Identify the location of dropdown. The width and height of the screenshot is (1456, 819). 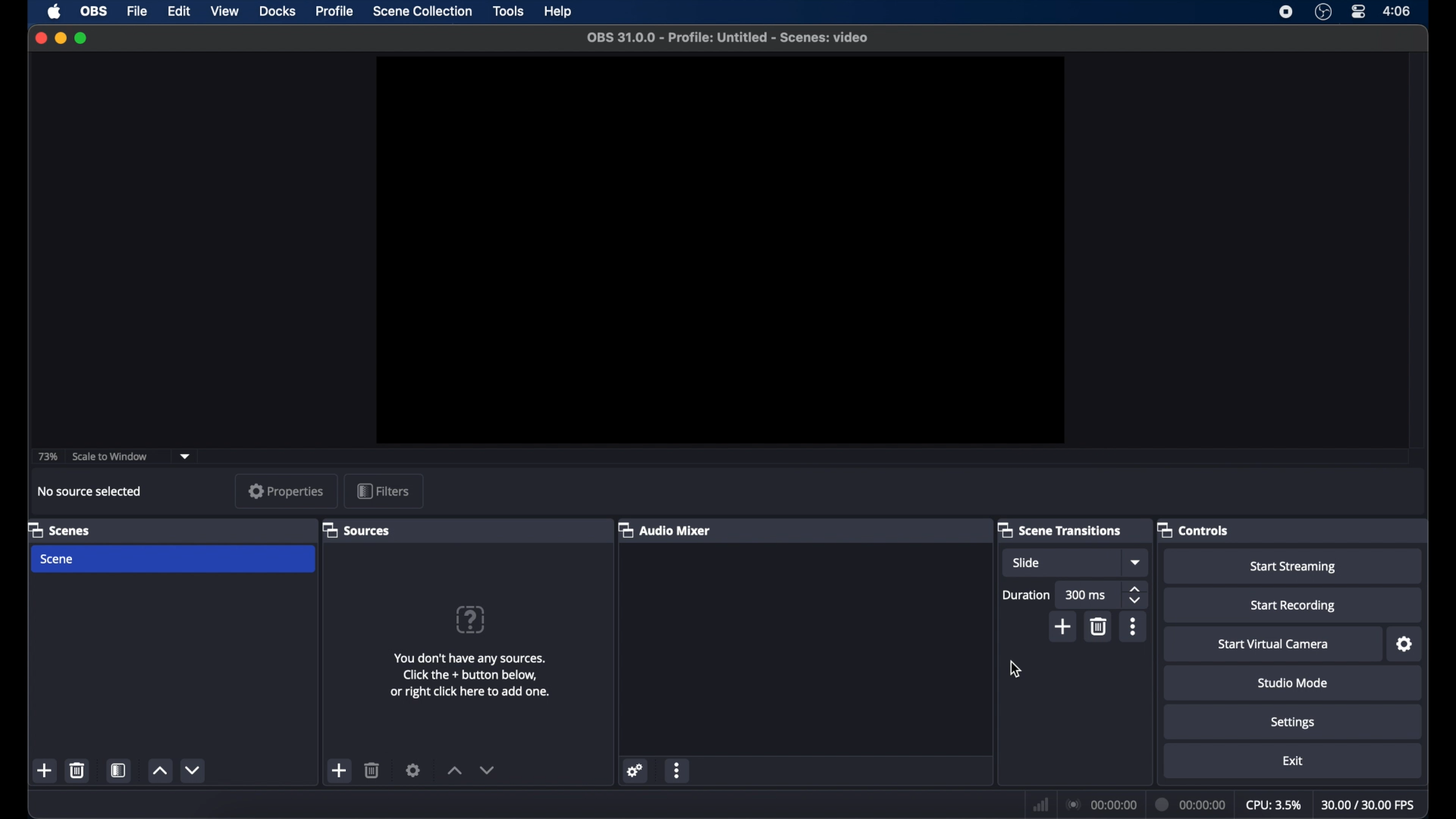
(187, 457).